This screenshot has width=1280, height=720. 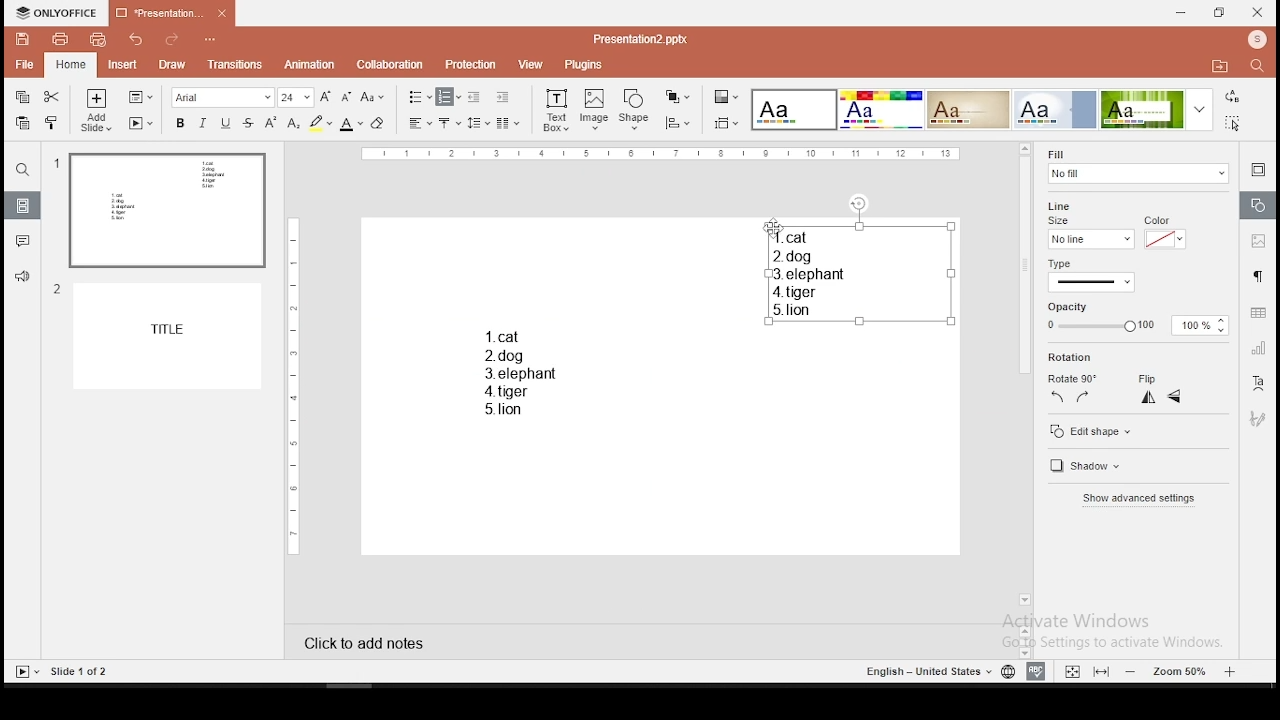 I want to click on protection, so click(x=472, y=63).